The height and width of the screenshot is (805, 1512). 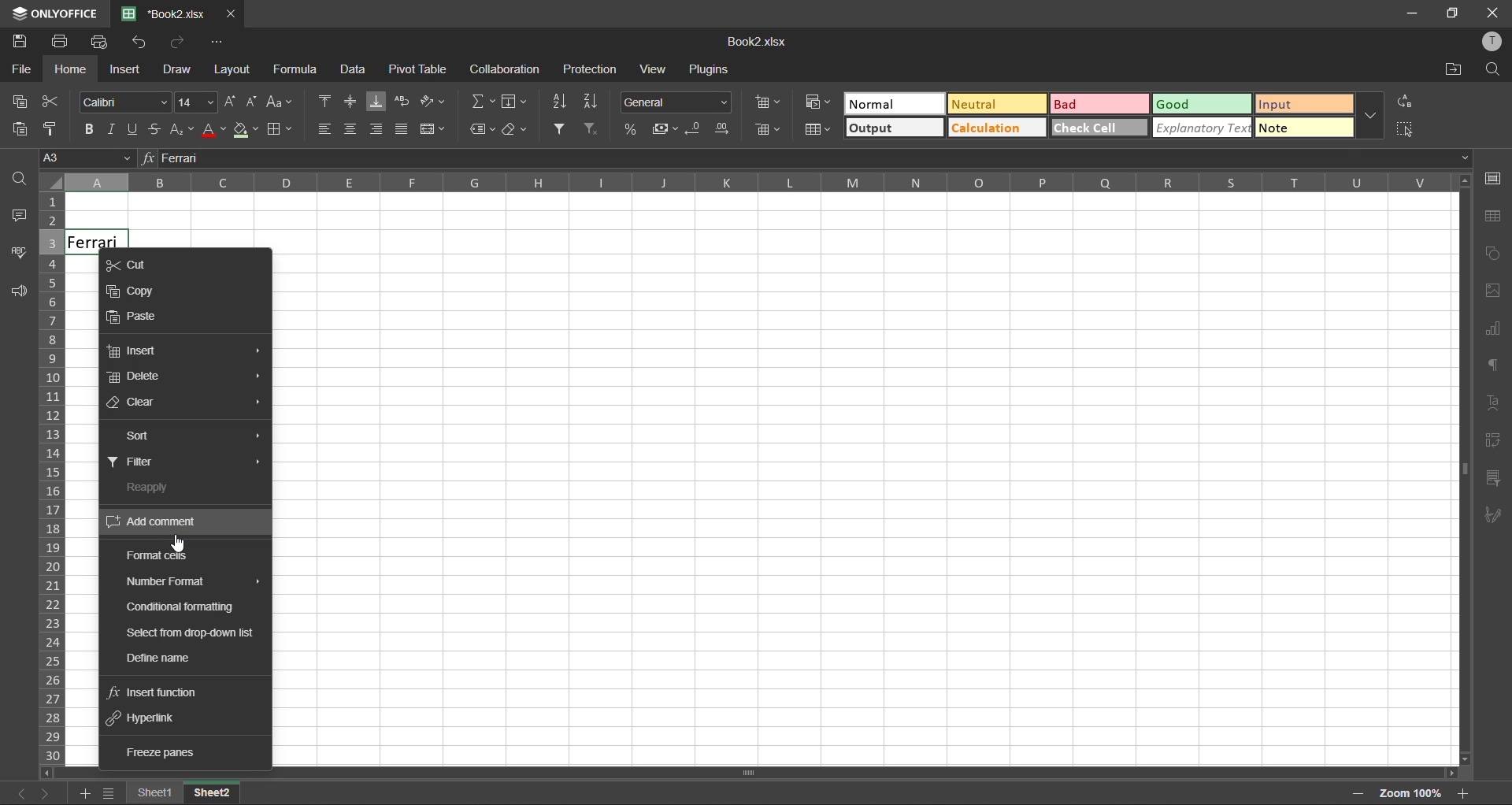 I want to click on add comment, so click(x=160, y=522).